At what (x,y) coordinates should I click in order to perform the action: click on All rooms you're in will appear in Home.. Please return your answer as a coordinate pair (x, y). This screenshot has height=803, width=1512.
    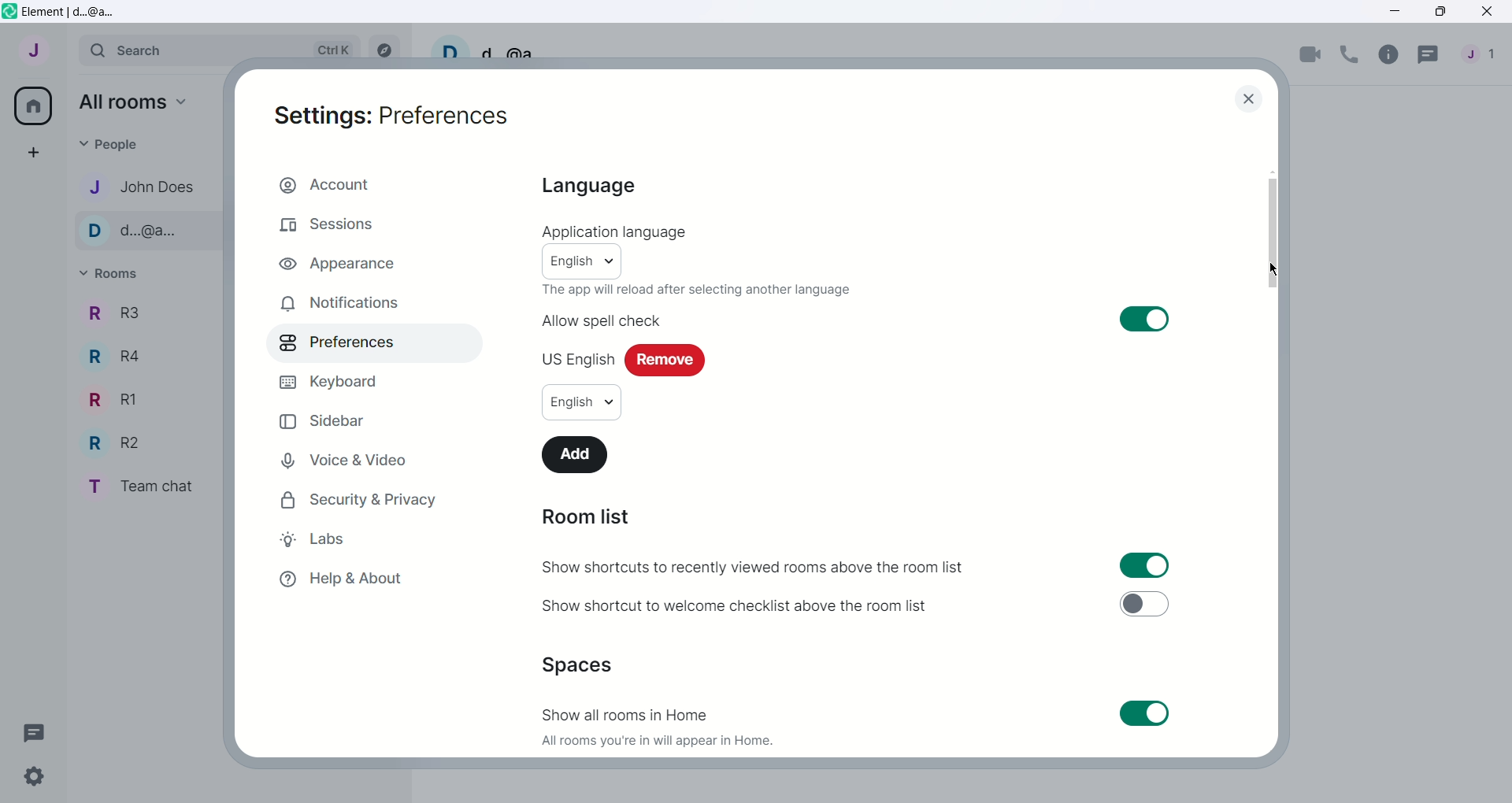
    Looking at the image, I should click on (657, 741).